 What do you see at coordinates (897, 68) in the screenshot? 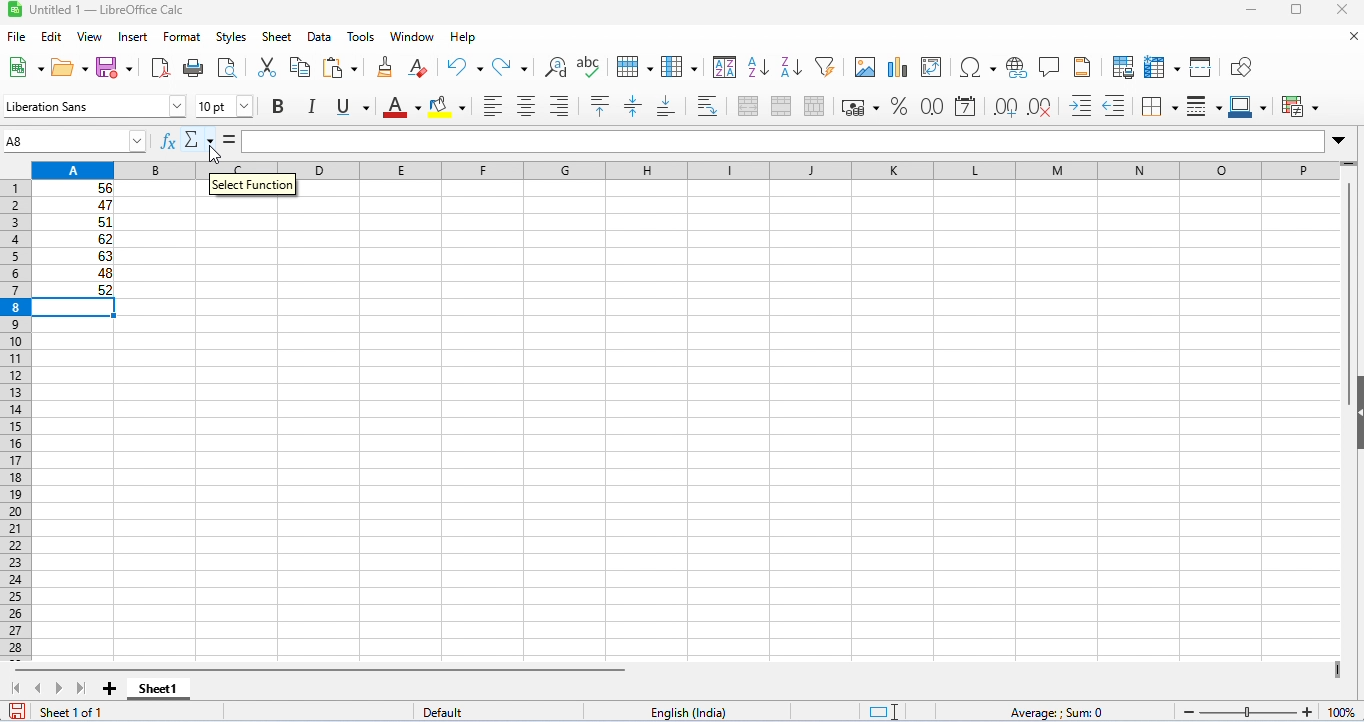
I see `insert chart` at bounding box center [897, 68].